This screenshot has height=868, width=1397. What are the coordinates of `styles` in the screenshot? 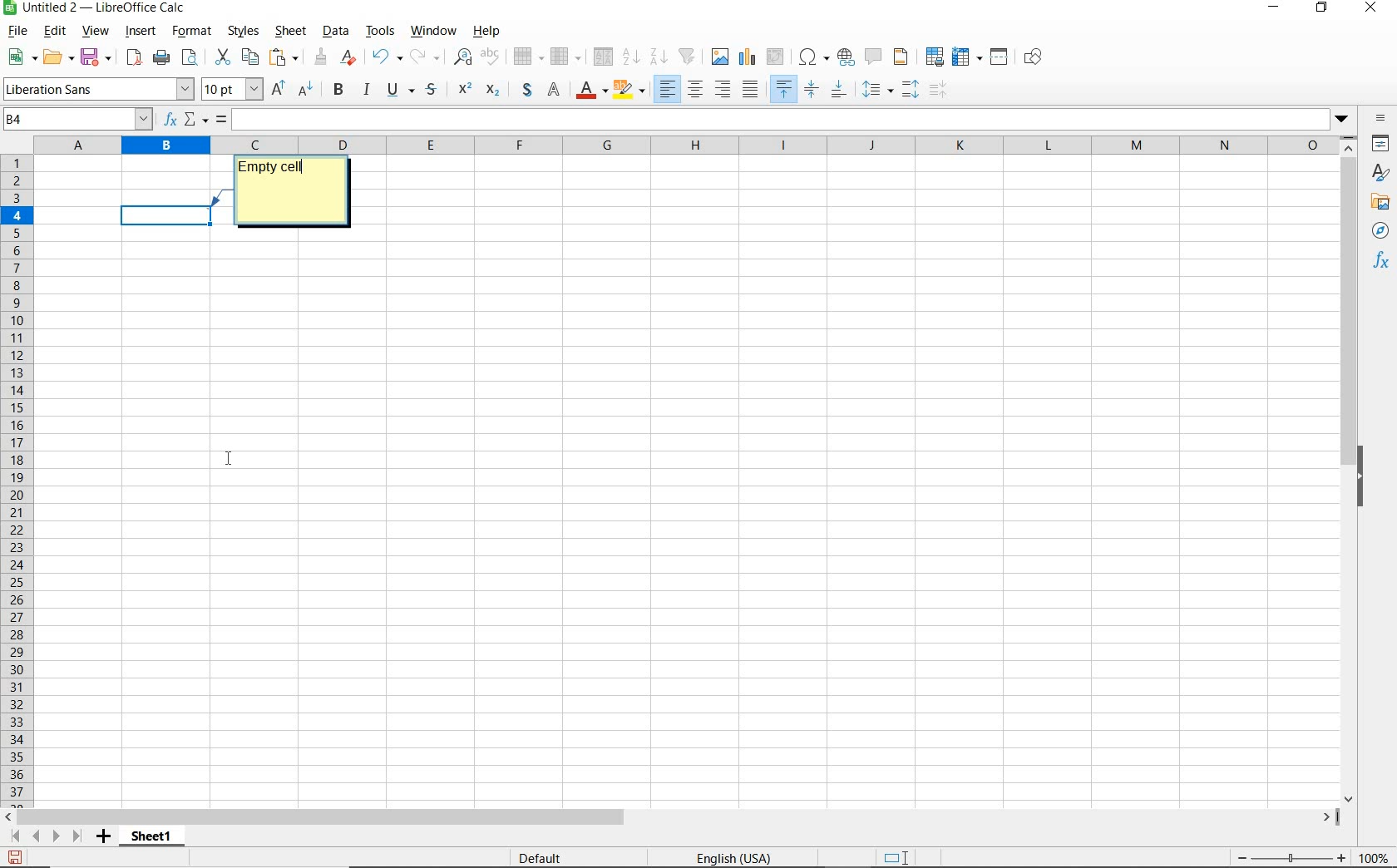 It's located at (1380, 170).